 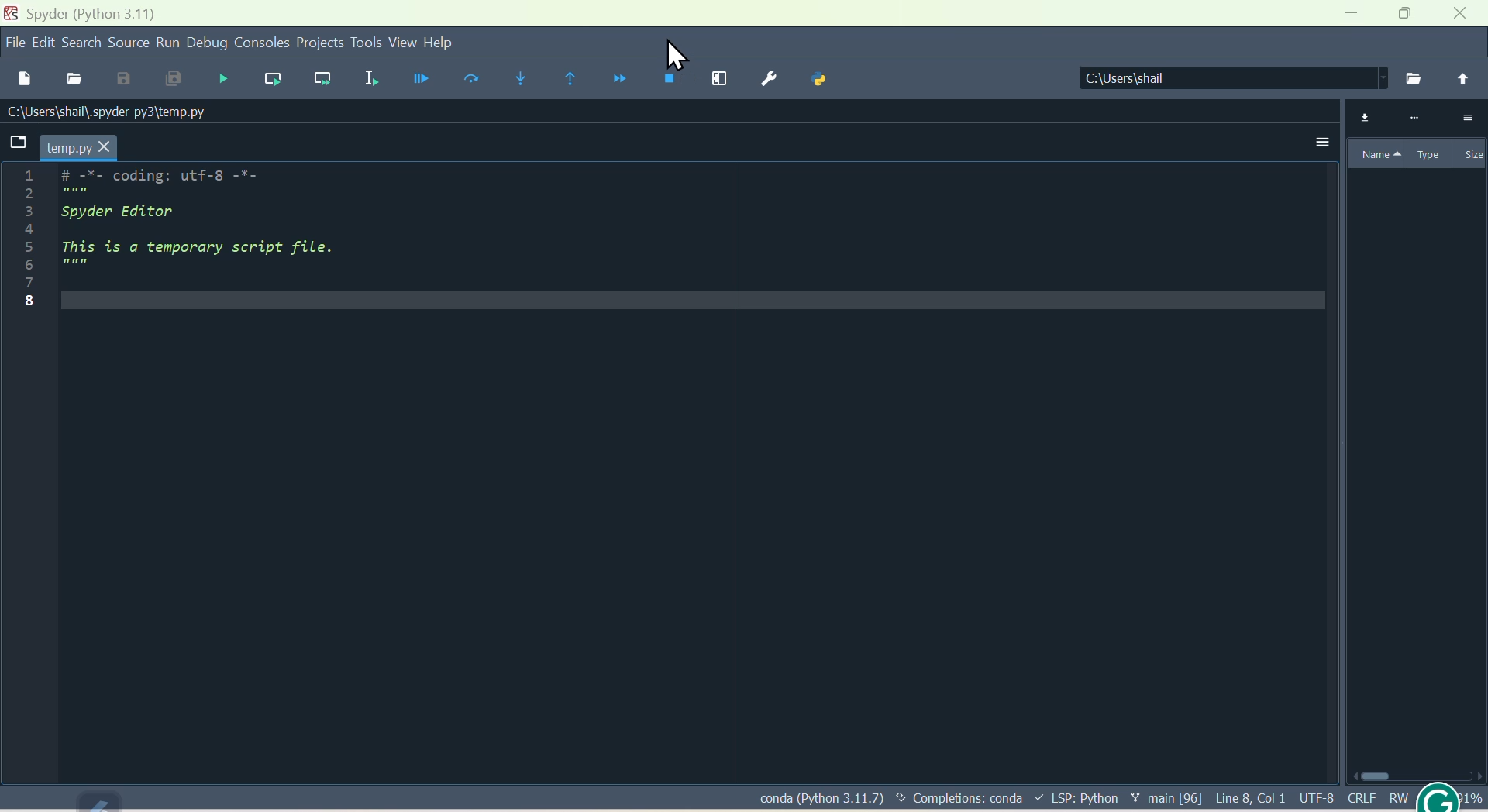 I want to click on Save all, so click(x=170, y=80).